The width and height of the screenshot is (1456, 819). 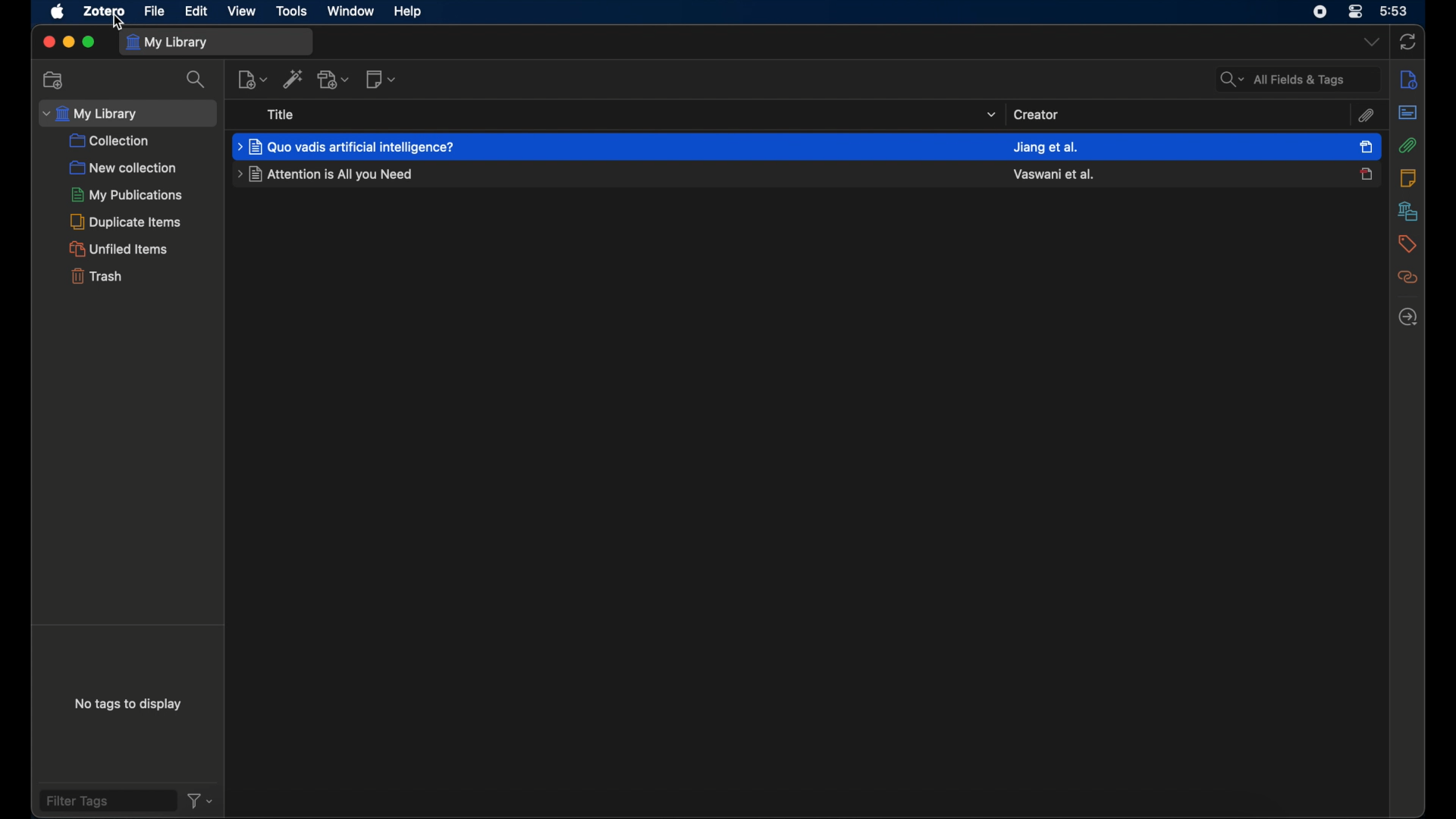 What do you see at coordinates (1410, 211) in the screenshot?
I see `libraries and collections` at bounding box center [1410, 211].